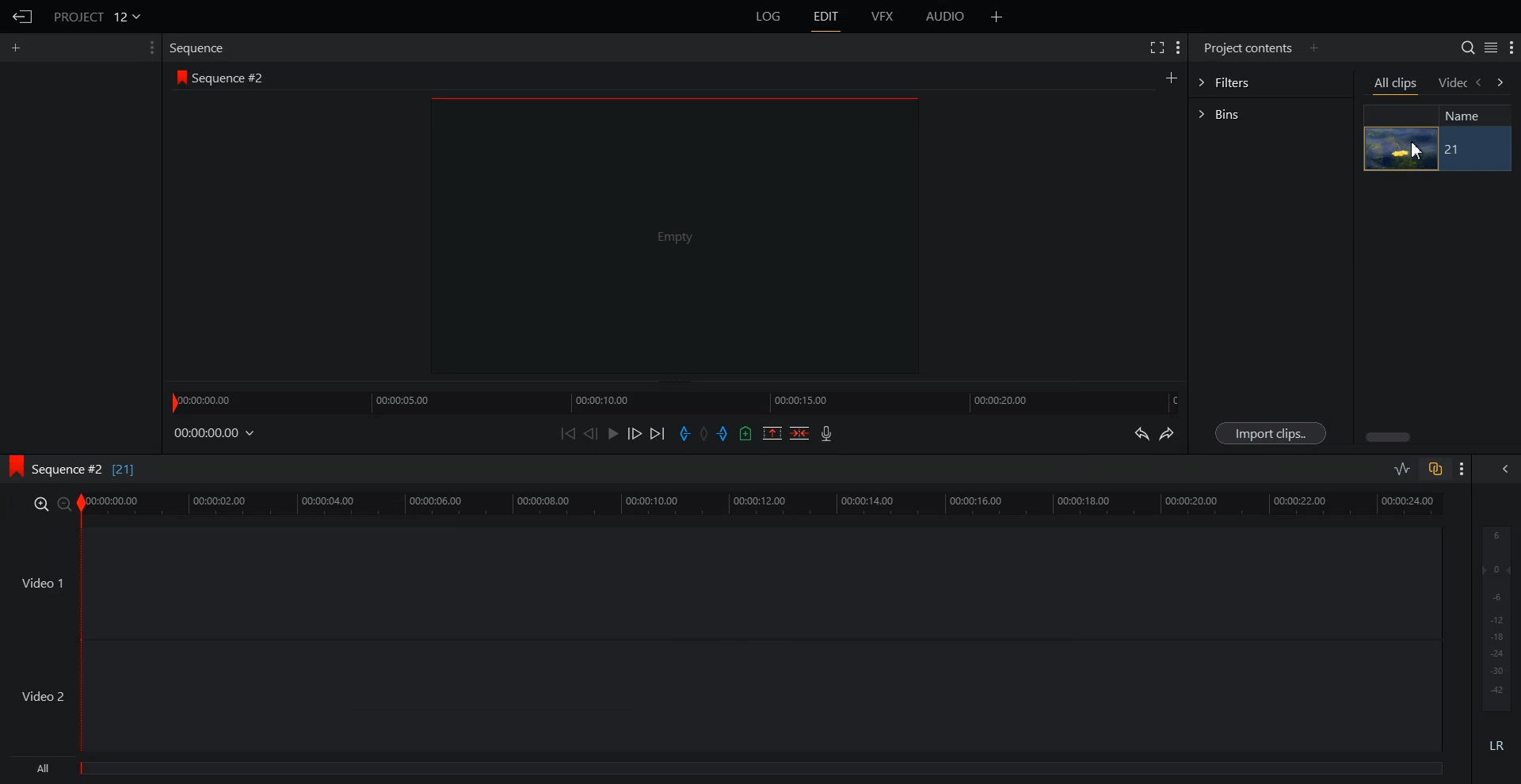 The image size is (1521, 784). Describe the element at coordinates (1170, 78) in the screenshot. I see `Create Sequence` at that location.